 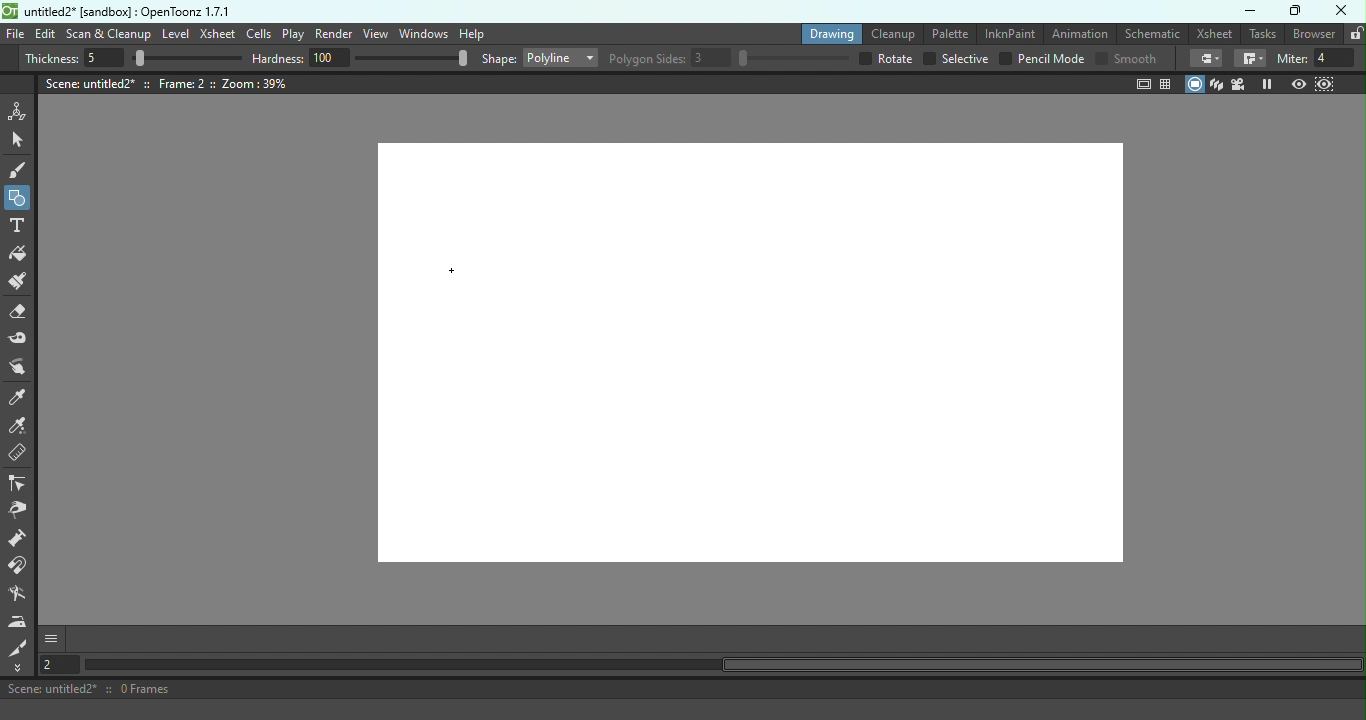 What do you see at coordinates (20, 111) in the screenshot?
I see `Animate tool` at bounding box center [20, 111].